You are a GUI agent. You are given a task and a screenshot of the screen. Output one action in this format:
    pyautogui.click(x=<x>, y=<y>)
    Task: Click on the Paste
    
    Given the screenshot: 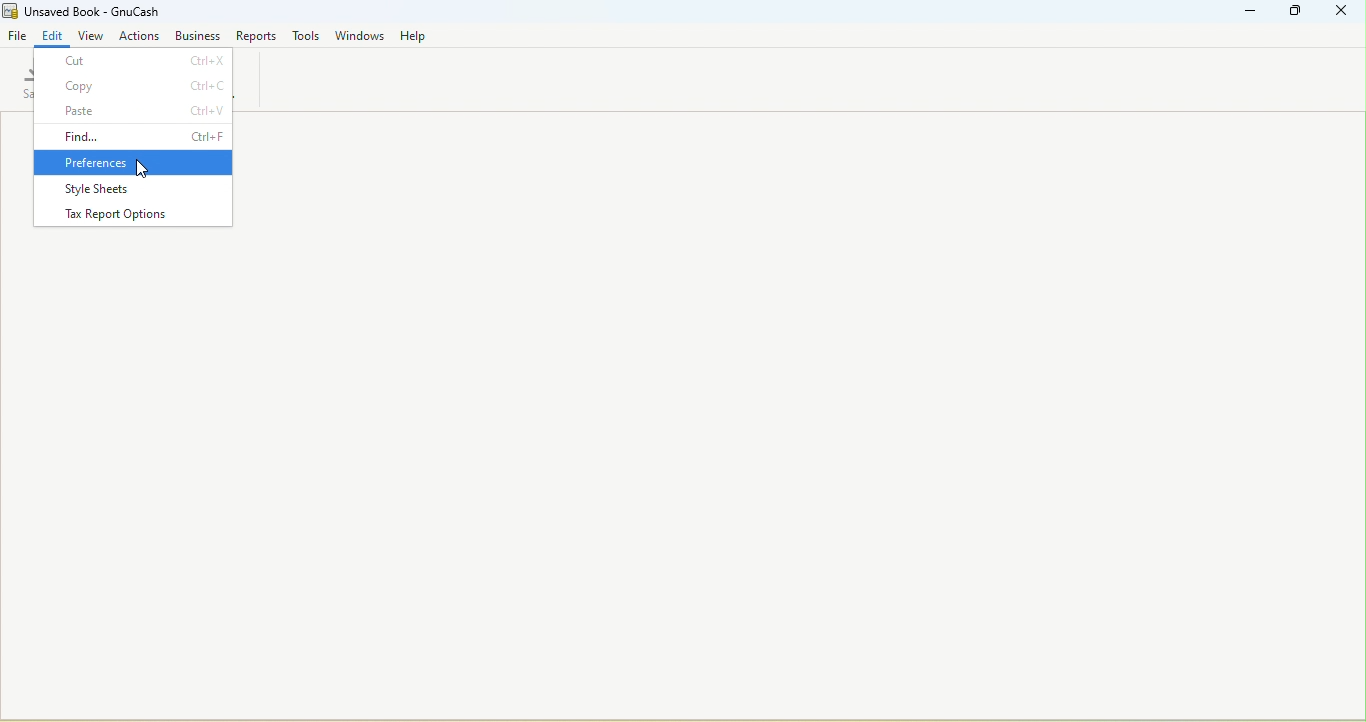 What is the action you would take?
    pyautogui.click(x=133, y=110)
    